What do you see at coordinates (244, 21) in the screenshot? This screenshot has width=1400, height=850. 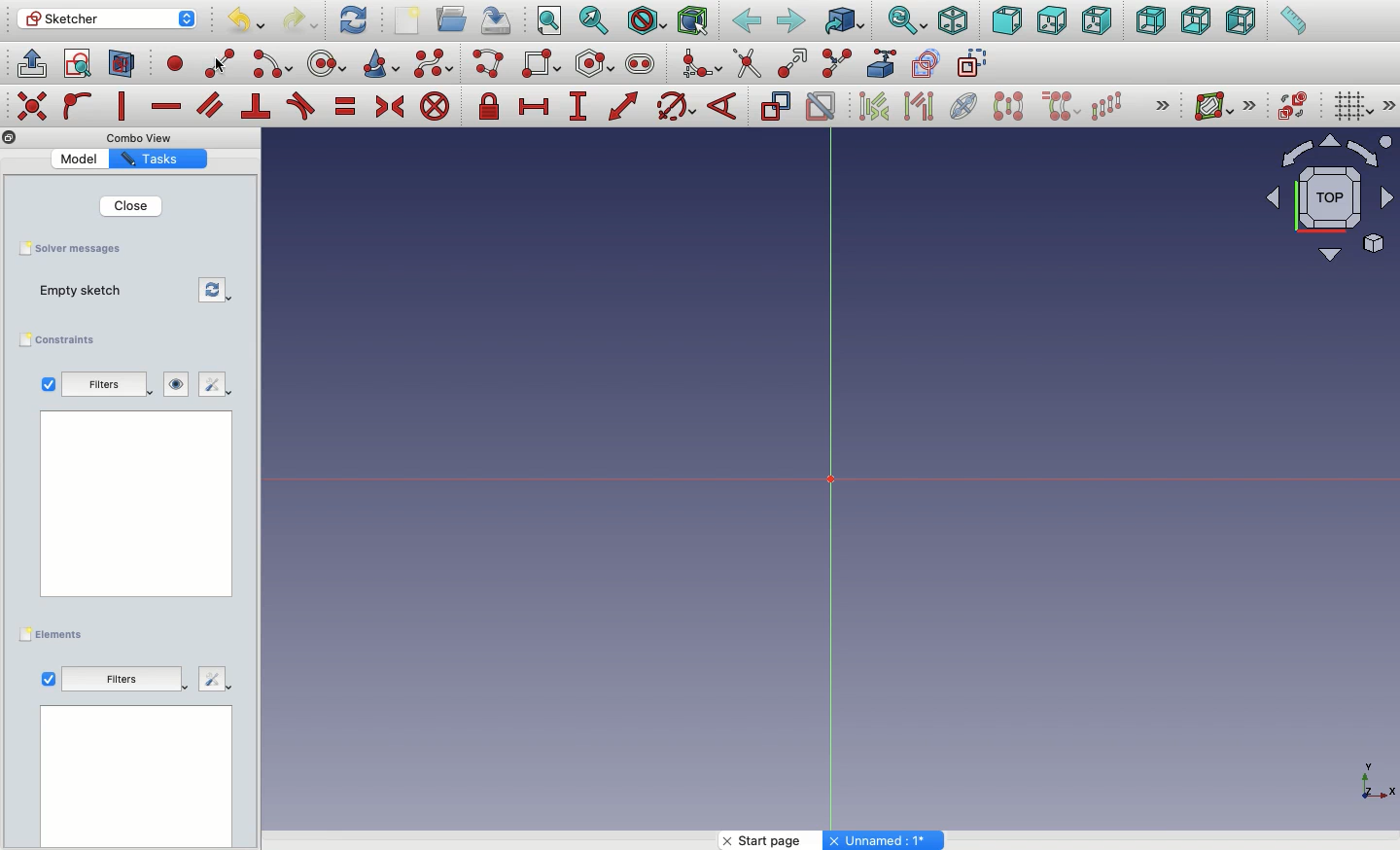 I see `Undo` at bounding box center [244, 21].